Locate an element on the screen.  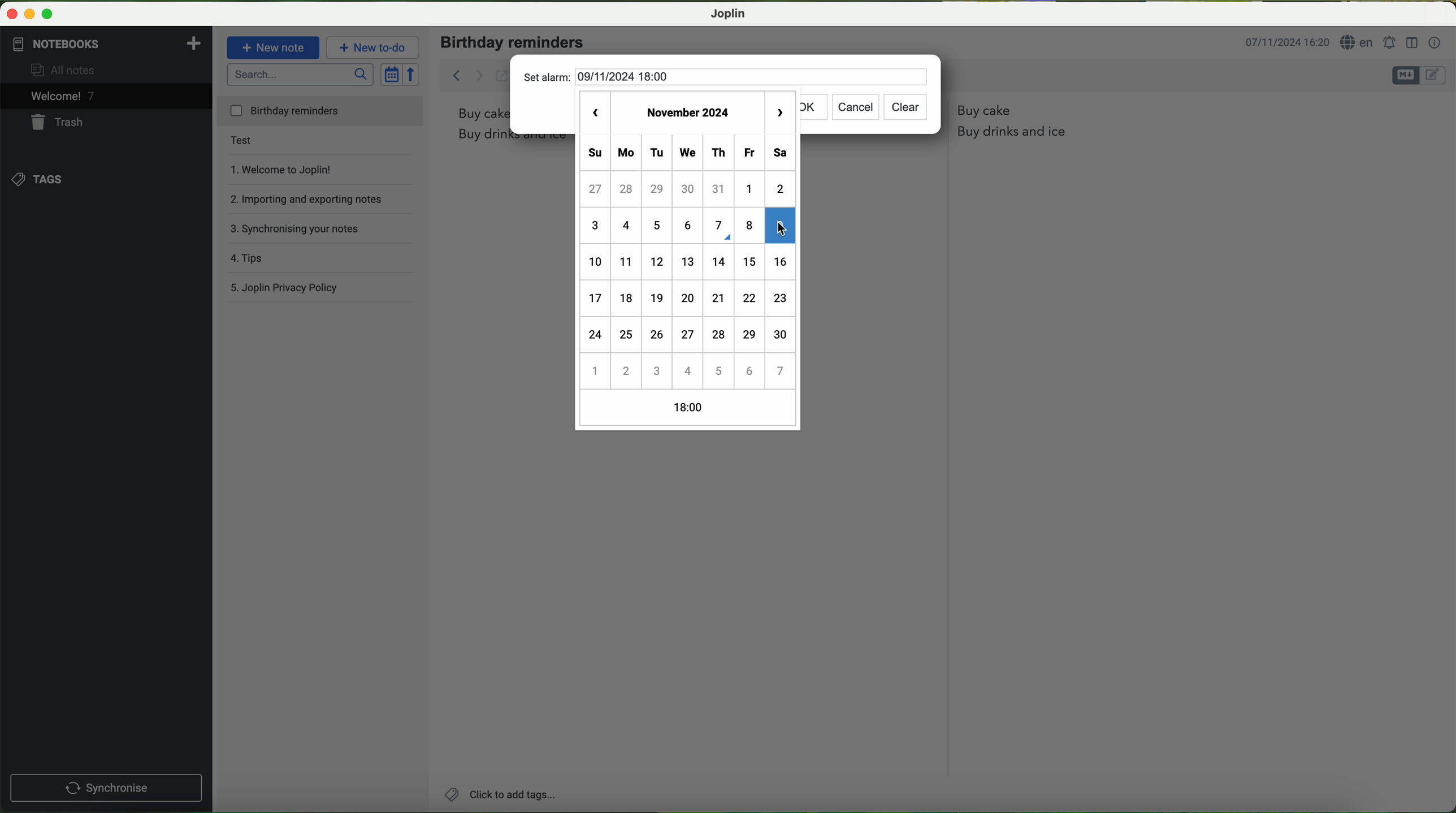
birthday reminders file is located at coordinates (321, 113).